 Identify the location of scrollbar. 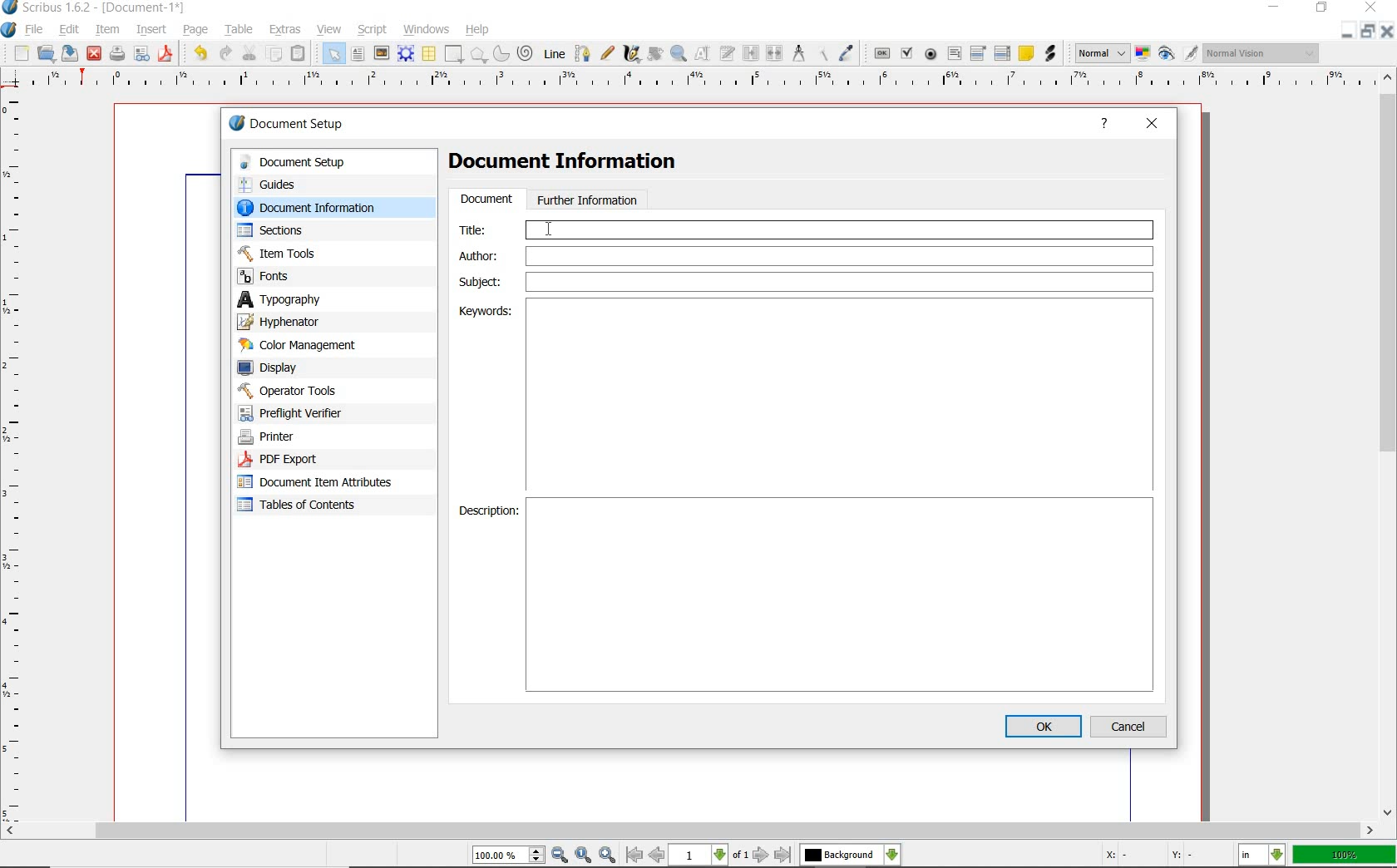
(1389, 446).